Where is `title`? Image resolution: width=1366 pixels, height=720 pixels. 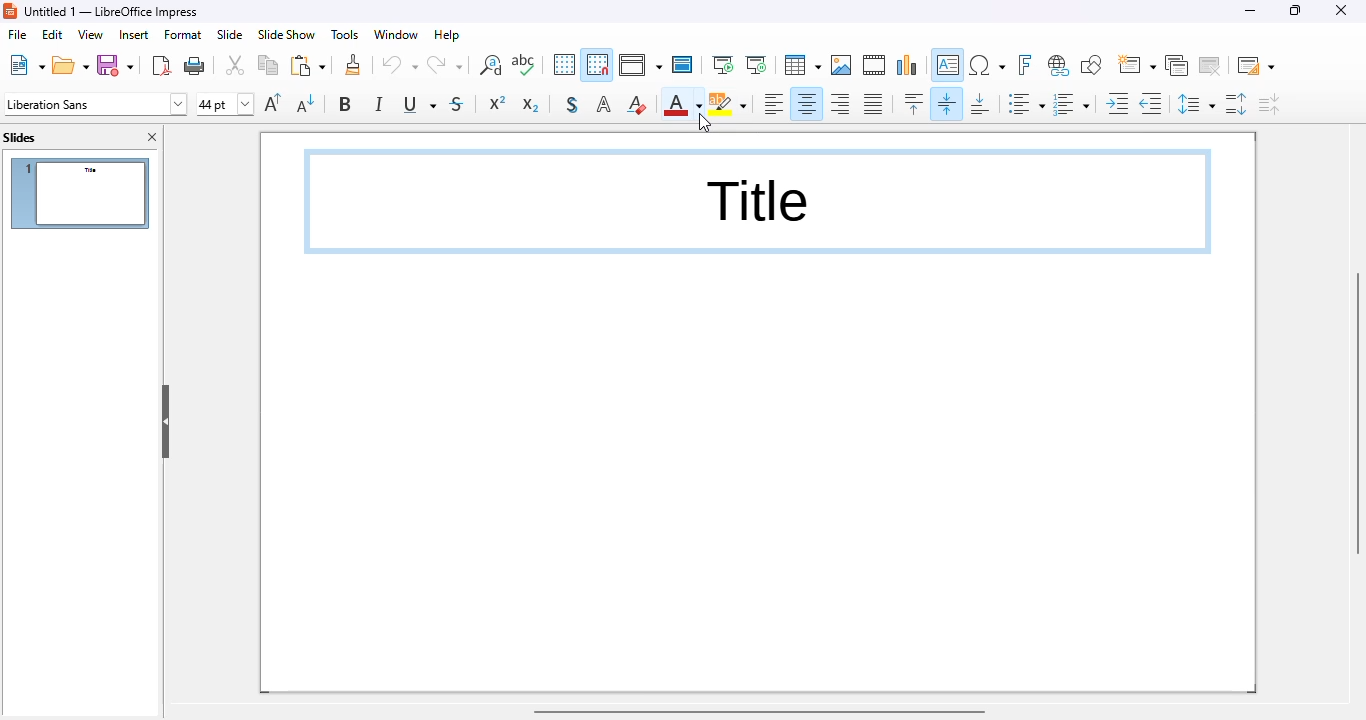 title is located at coordinates (113, 11).